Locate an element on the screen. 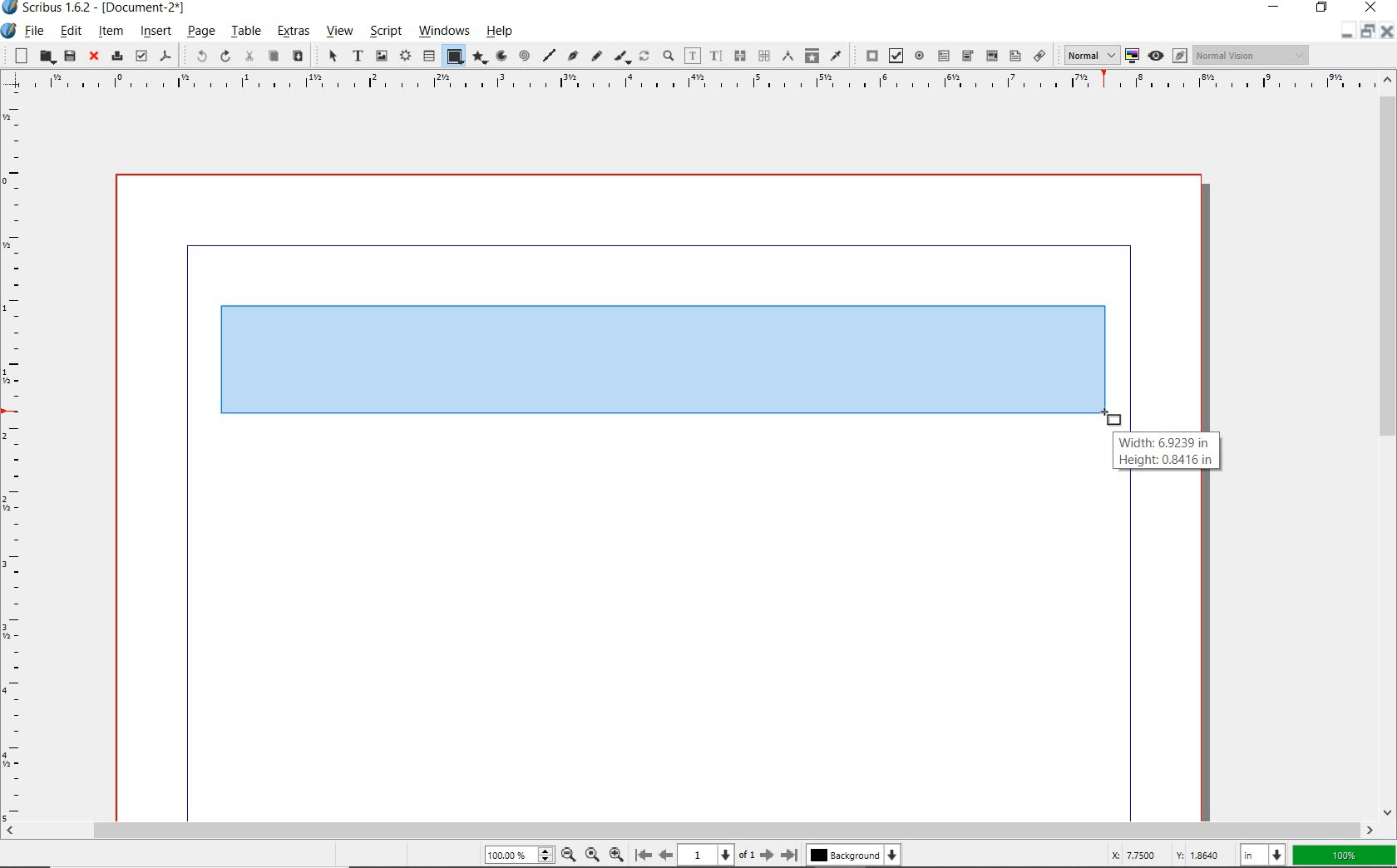  image frame is located at coordinates (381, 56).